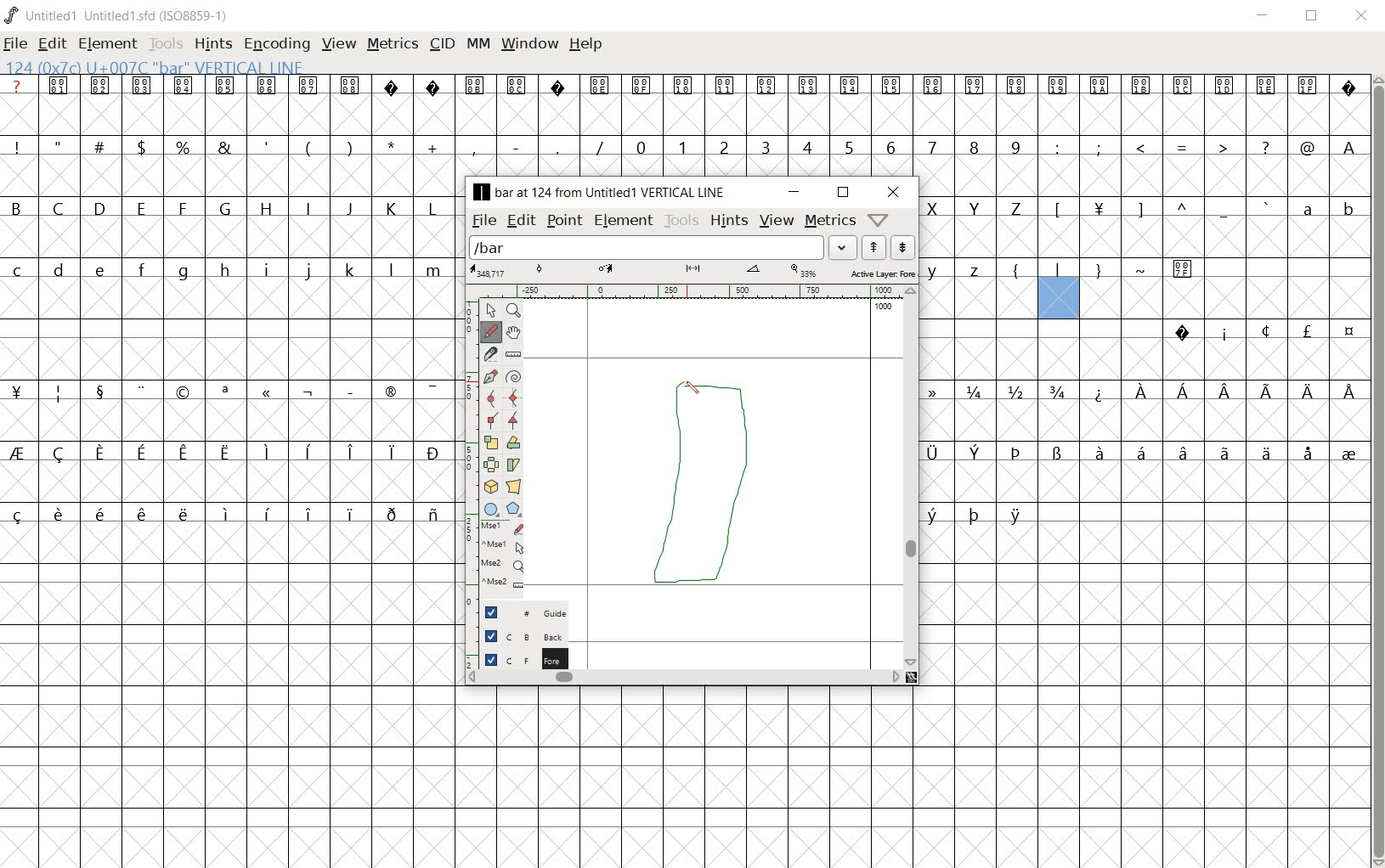 This screenshot has width=1385, height=868. I want to click on view, so click(339, 42).